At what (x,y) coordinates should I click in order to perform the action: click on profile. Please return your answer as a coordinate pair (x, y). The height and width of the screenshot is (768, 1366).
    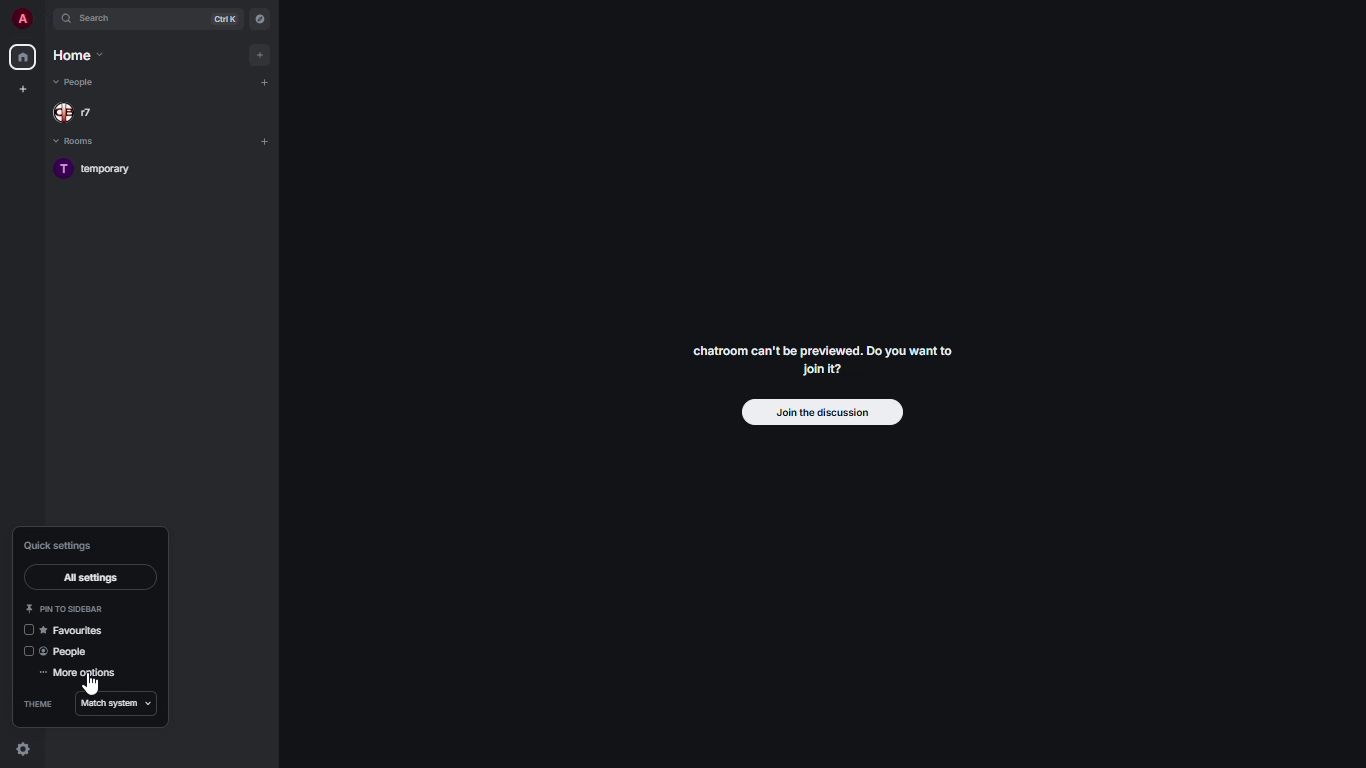
    Looking at the image, I should click on (24, 18).